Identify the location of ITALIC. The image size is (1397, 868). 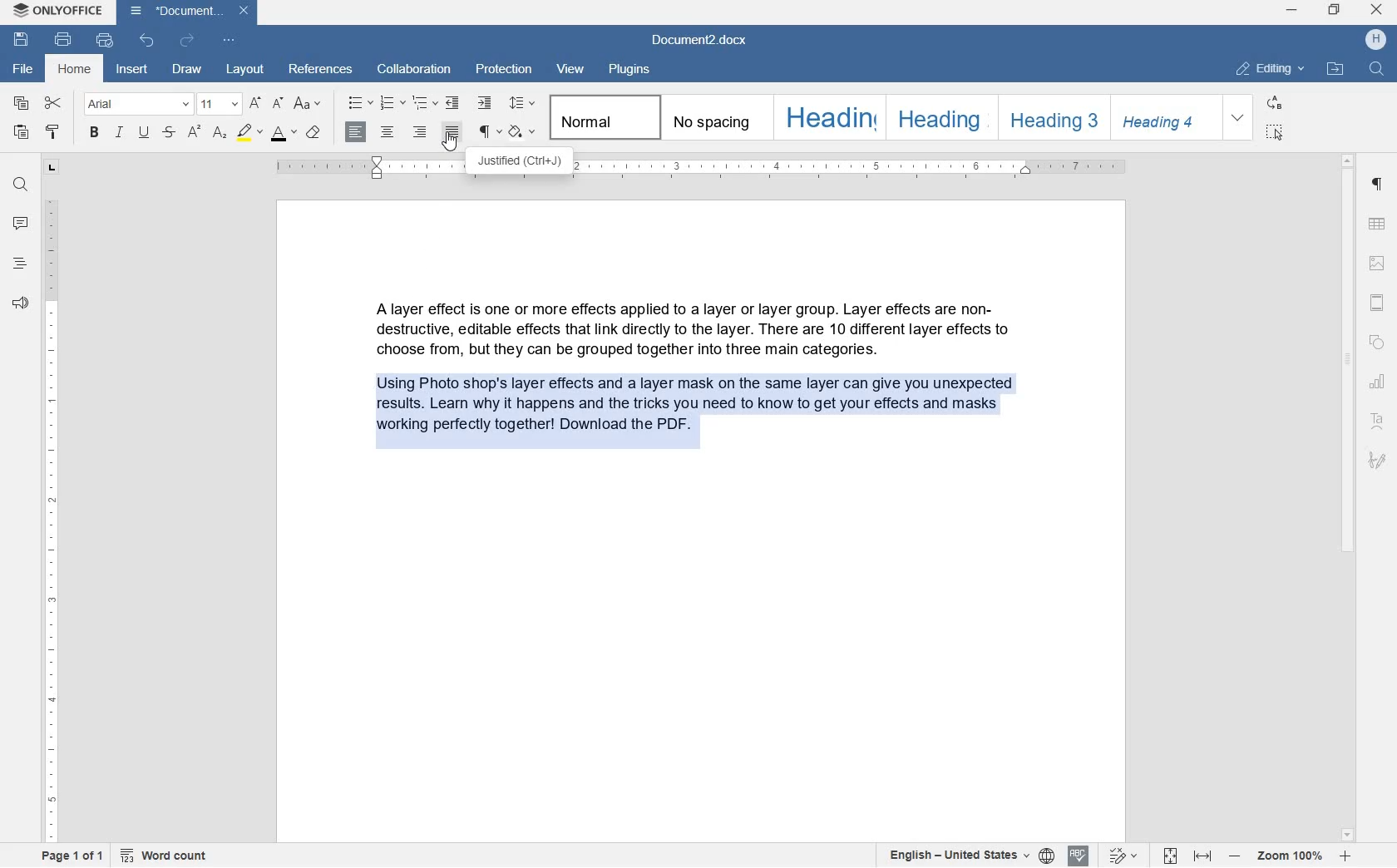
(118, 134).